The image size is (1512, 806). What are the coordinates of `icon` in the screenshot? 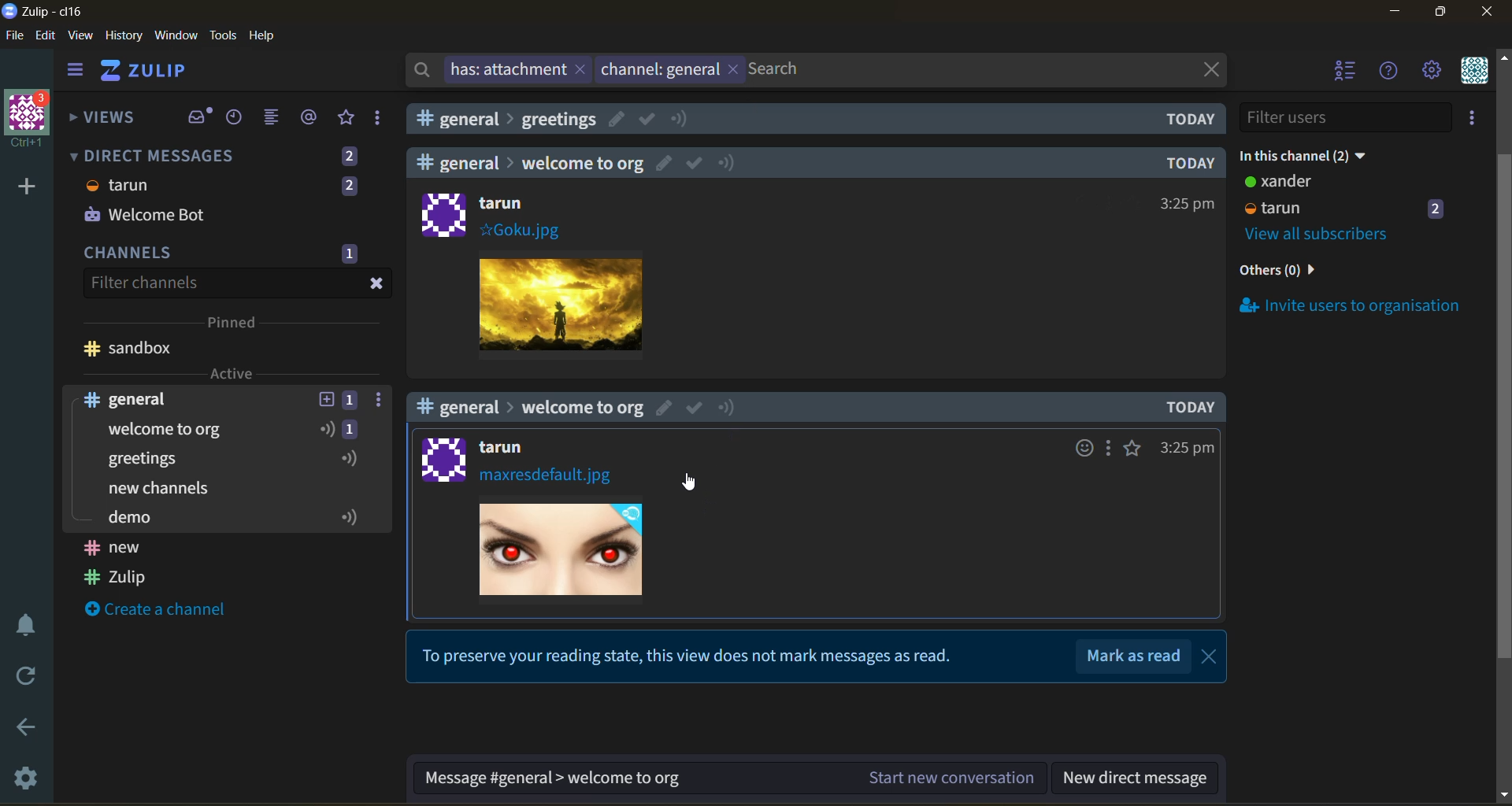 It's located at (324, 428).